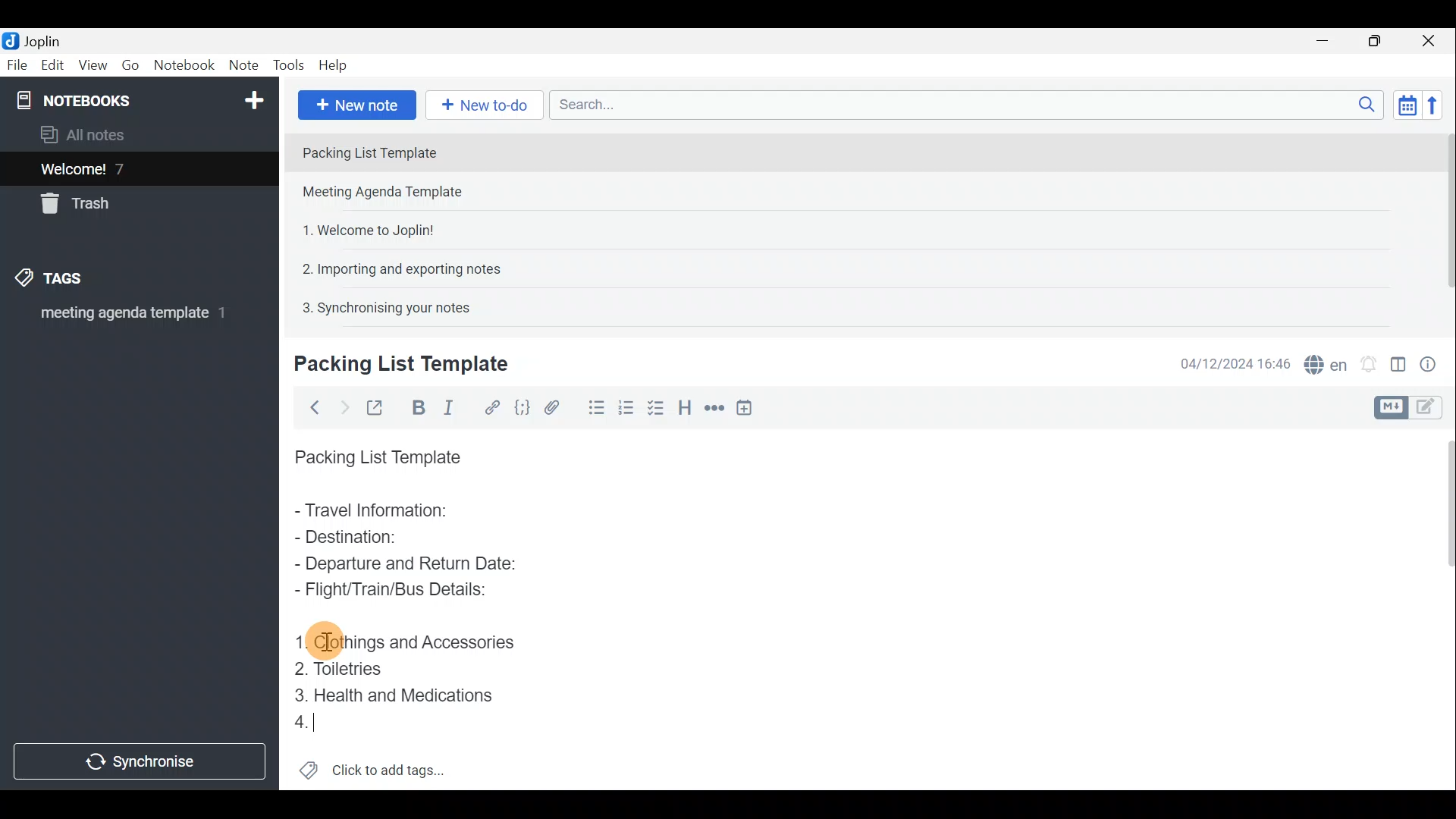 The width and height of the screenshot is (1456, 819). Describe the element at coordinates (1330, 43) in the screenshot. I see `Minimise` at that location.